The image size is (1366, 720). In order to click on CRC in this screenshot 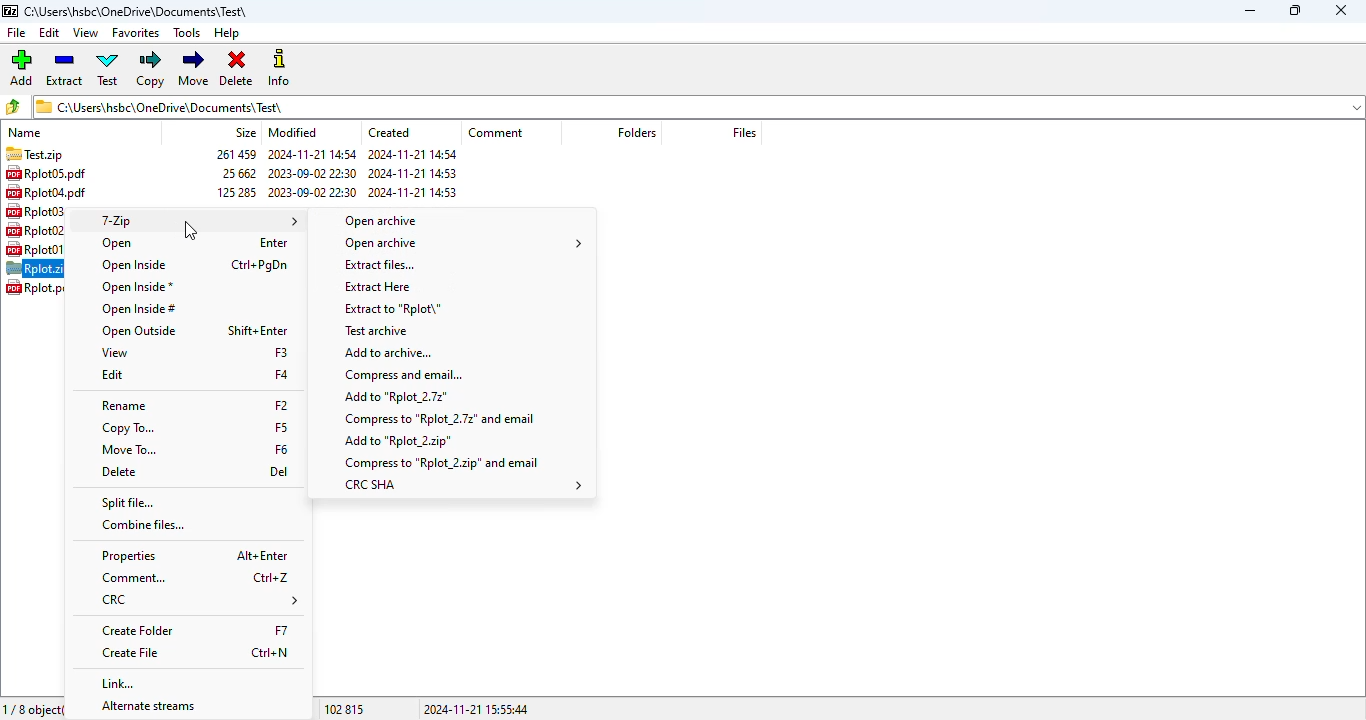, I will do `click(197, 599)`.